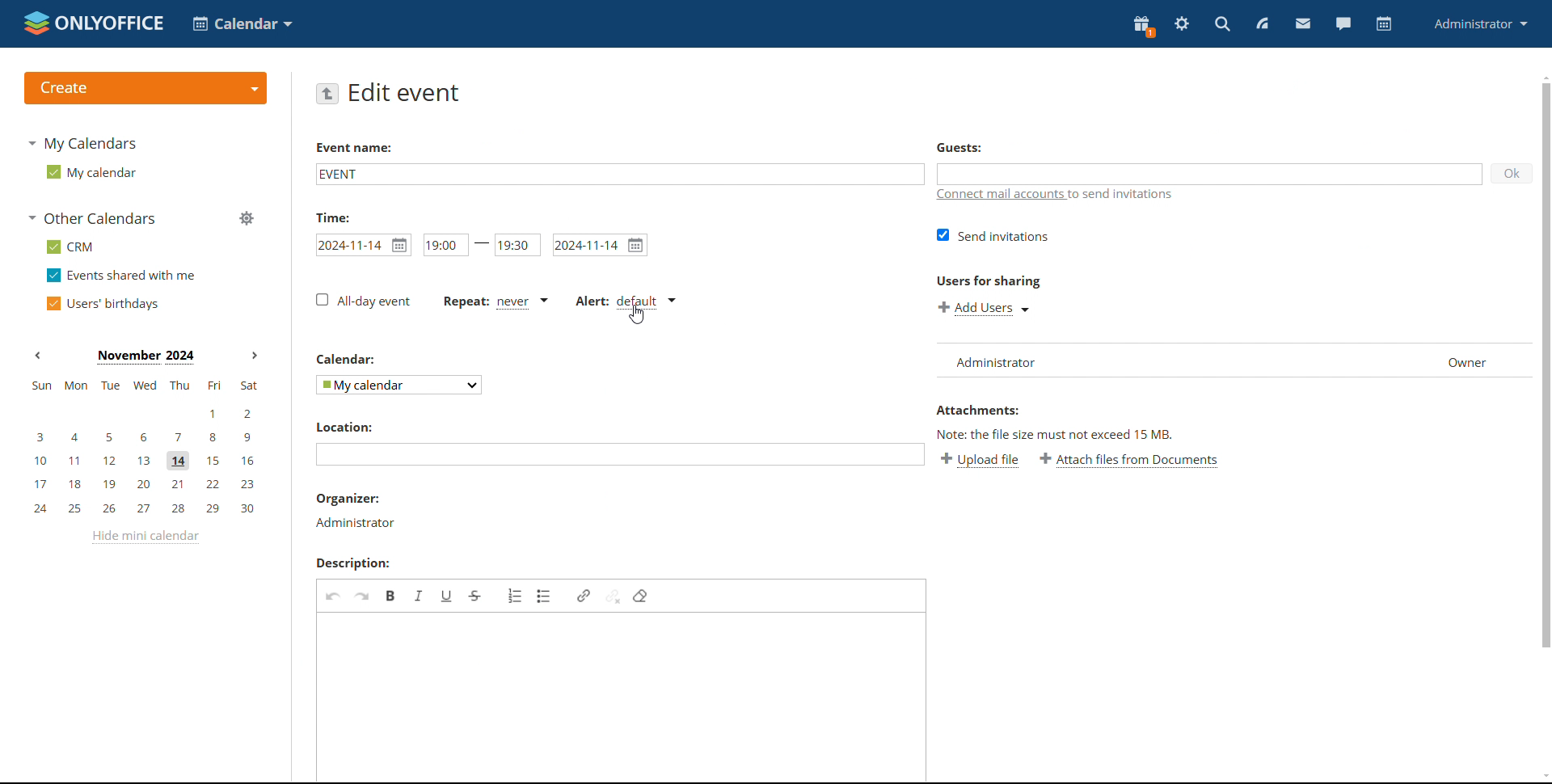 The image size is (1552, 784). I want to click on my calendar, so click(90, 172).